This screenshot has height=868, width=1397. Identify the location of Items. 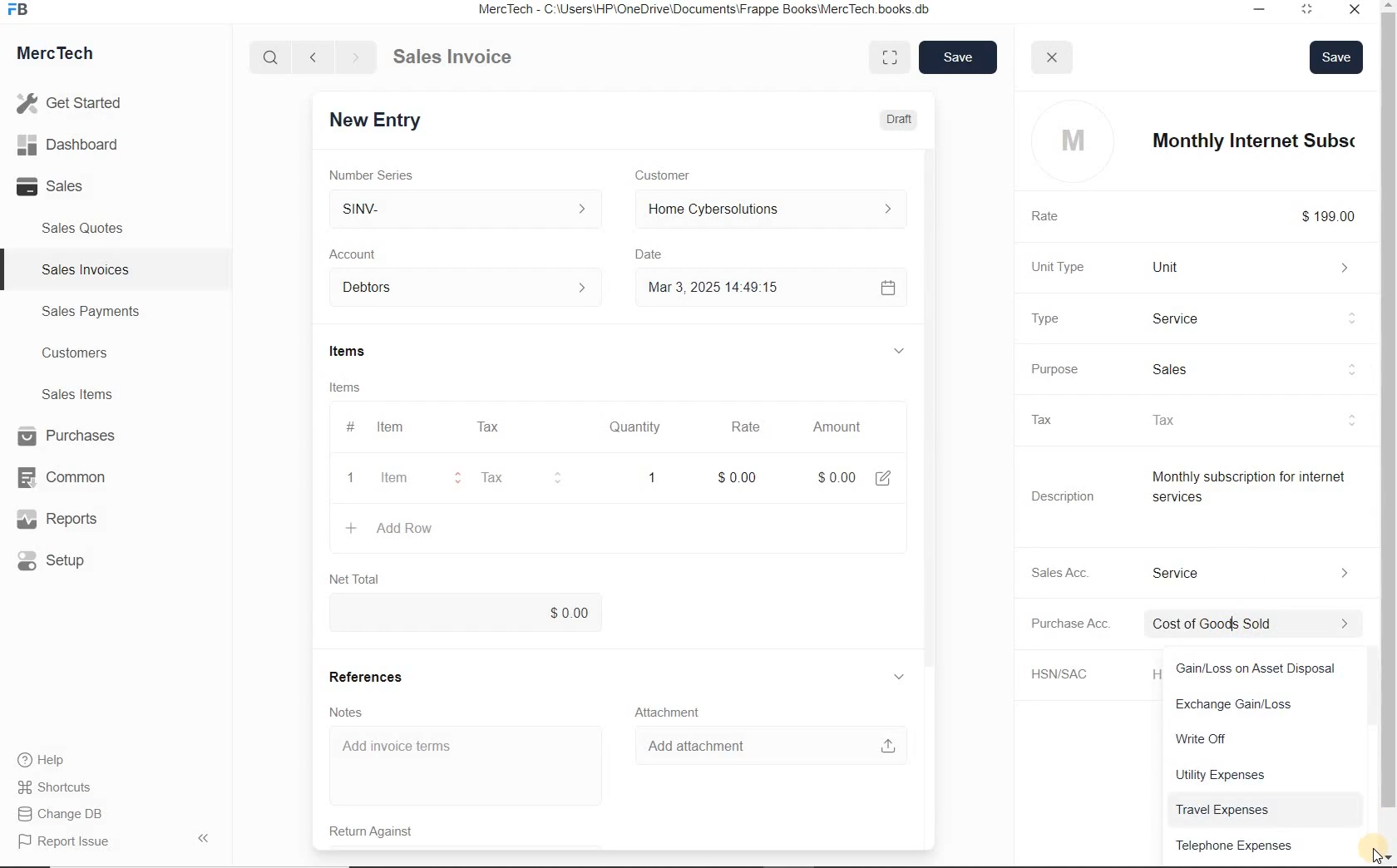
(370, 353).